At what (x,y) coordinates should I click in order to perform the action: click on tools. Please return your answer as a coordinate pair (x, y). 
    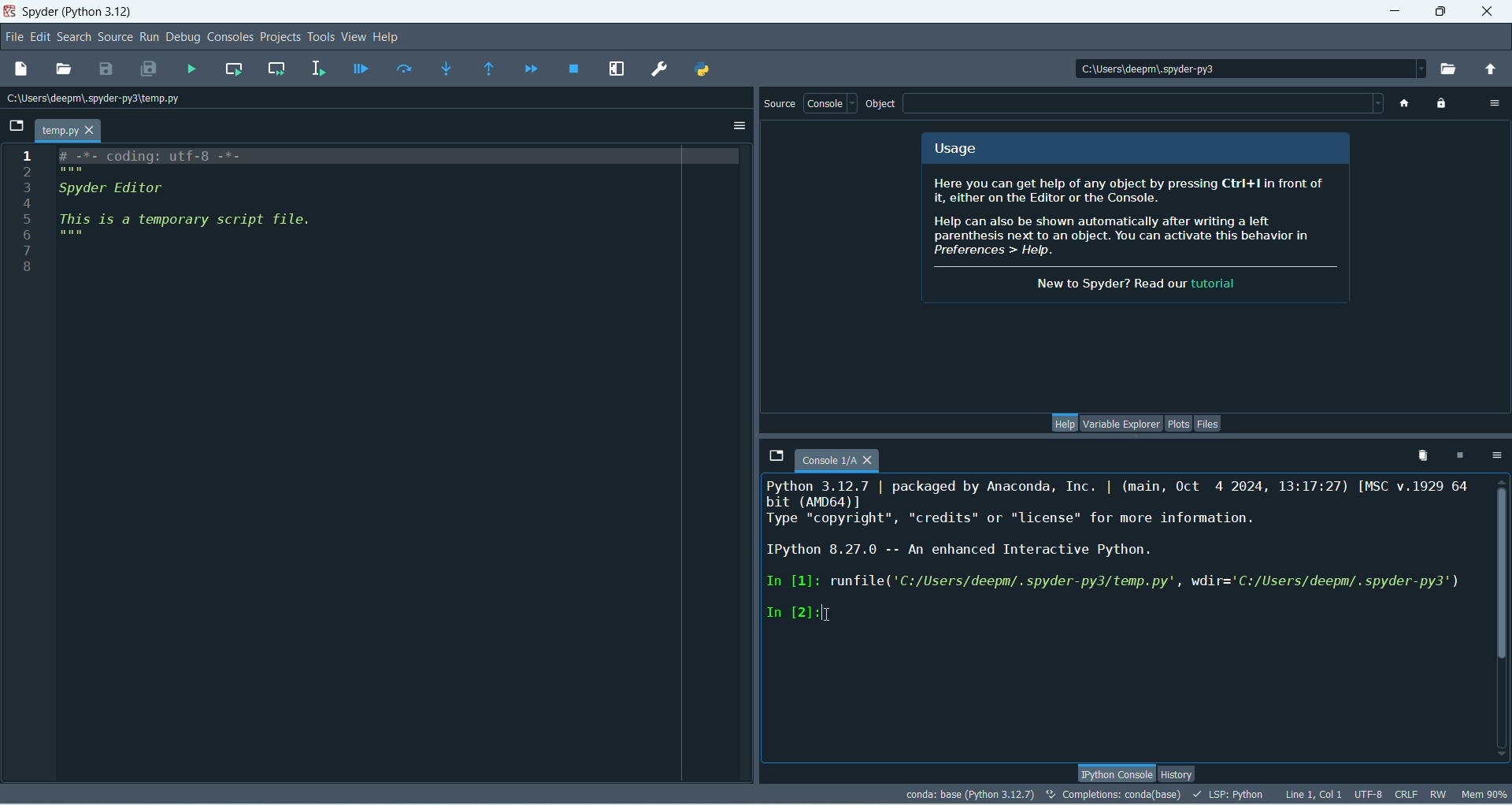
    Looking at the image, I should click on (321, 37).